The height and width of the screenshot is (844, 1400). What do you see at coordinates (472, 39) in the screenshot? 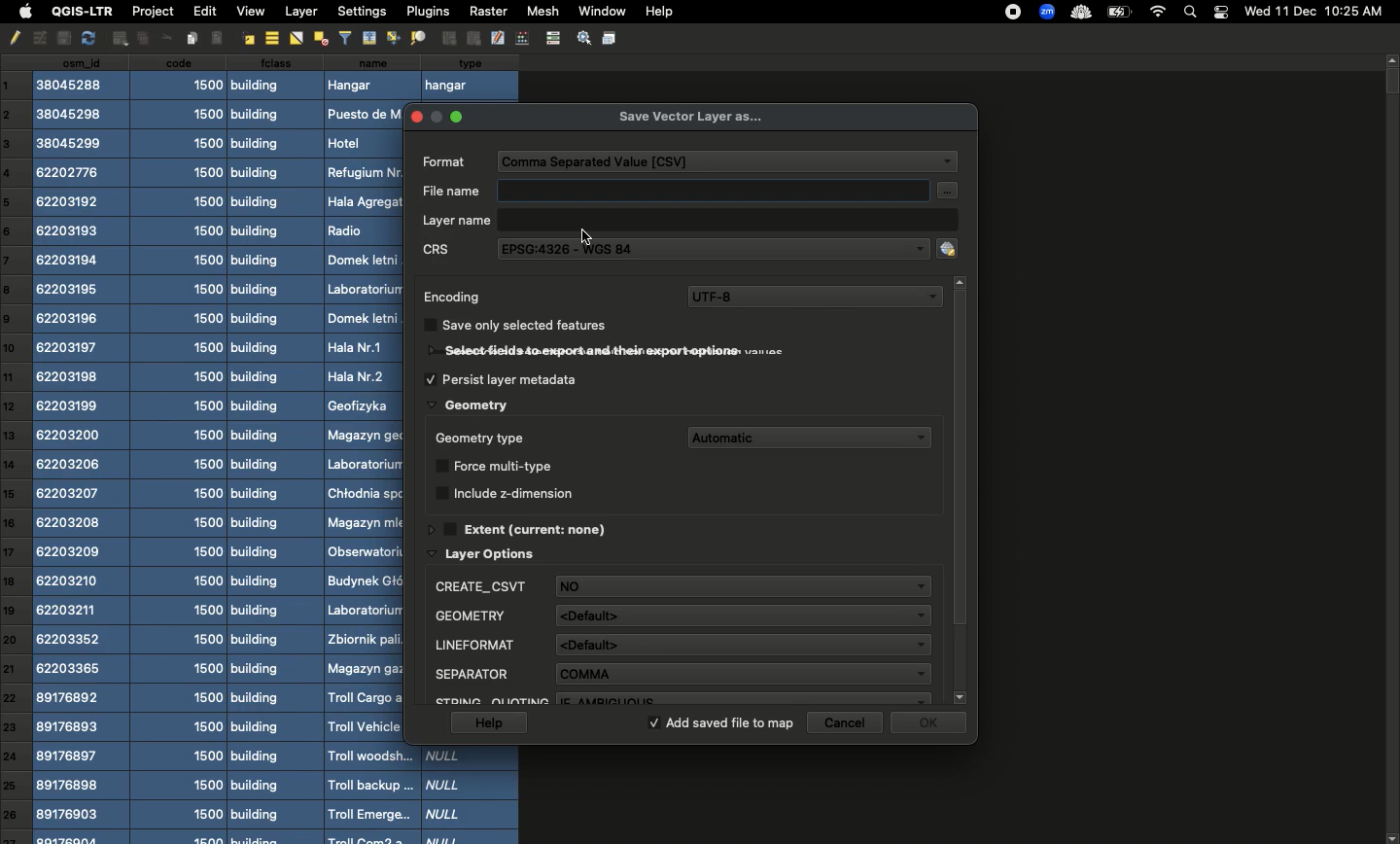
I see `Ungroup Objects` at bounding box center [472, 39].